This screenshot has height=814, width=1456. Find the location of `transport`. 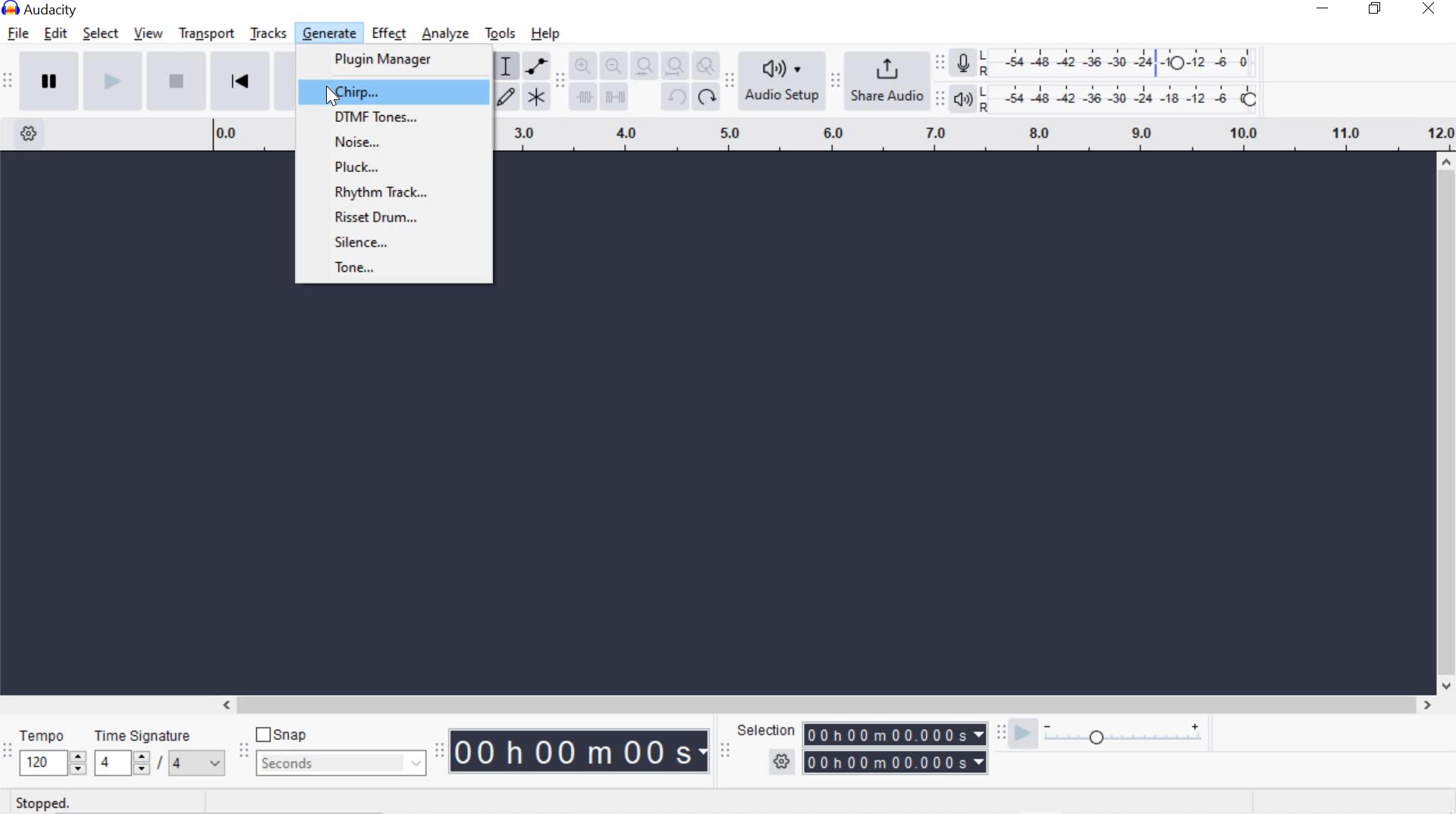

transport is located at coordinates (206, 32).